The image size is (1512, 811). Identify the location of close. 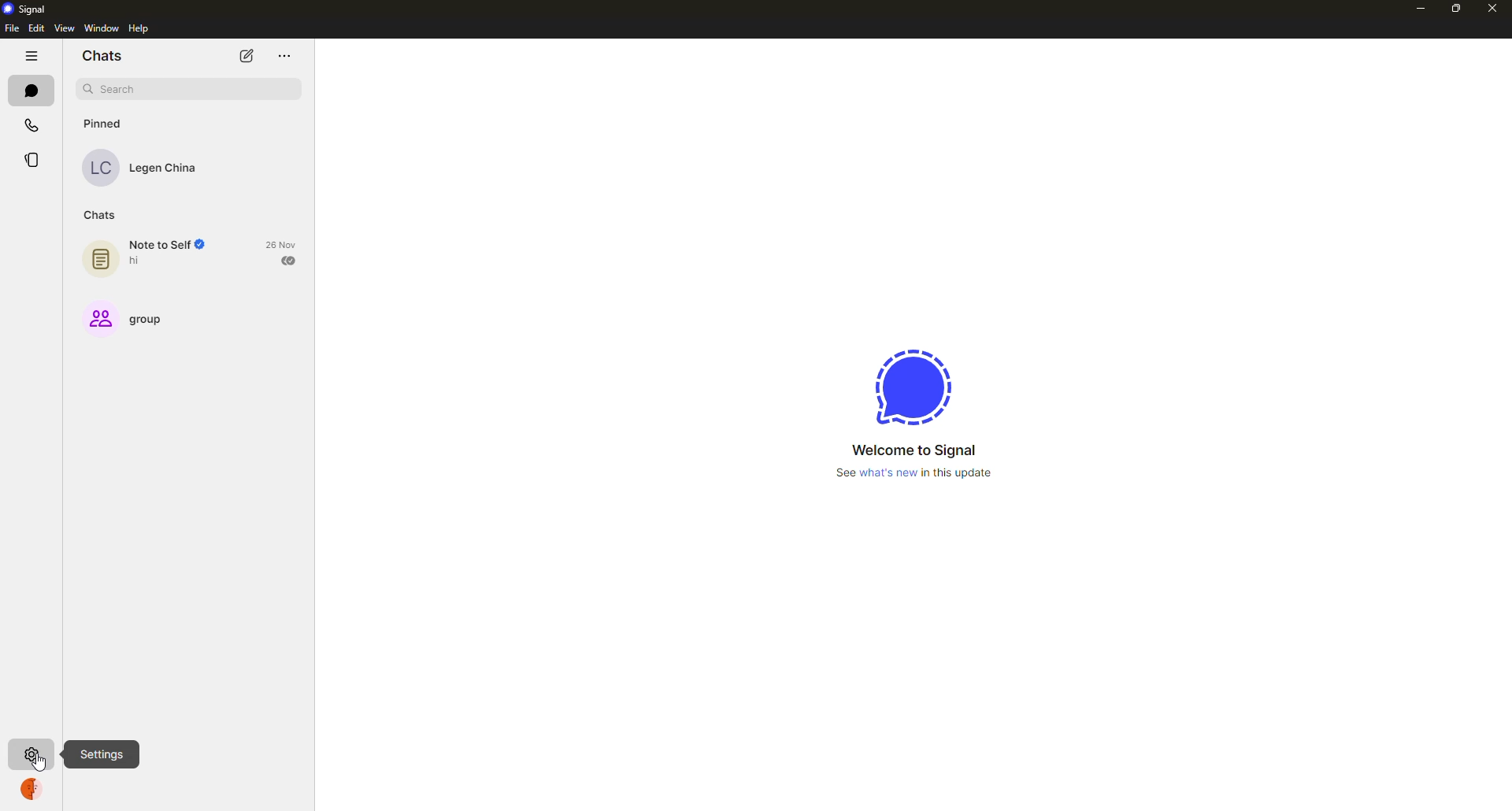
(1491, 9).